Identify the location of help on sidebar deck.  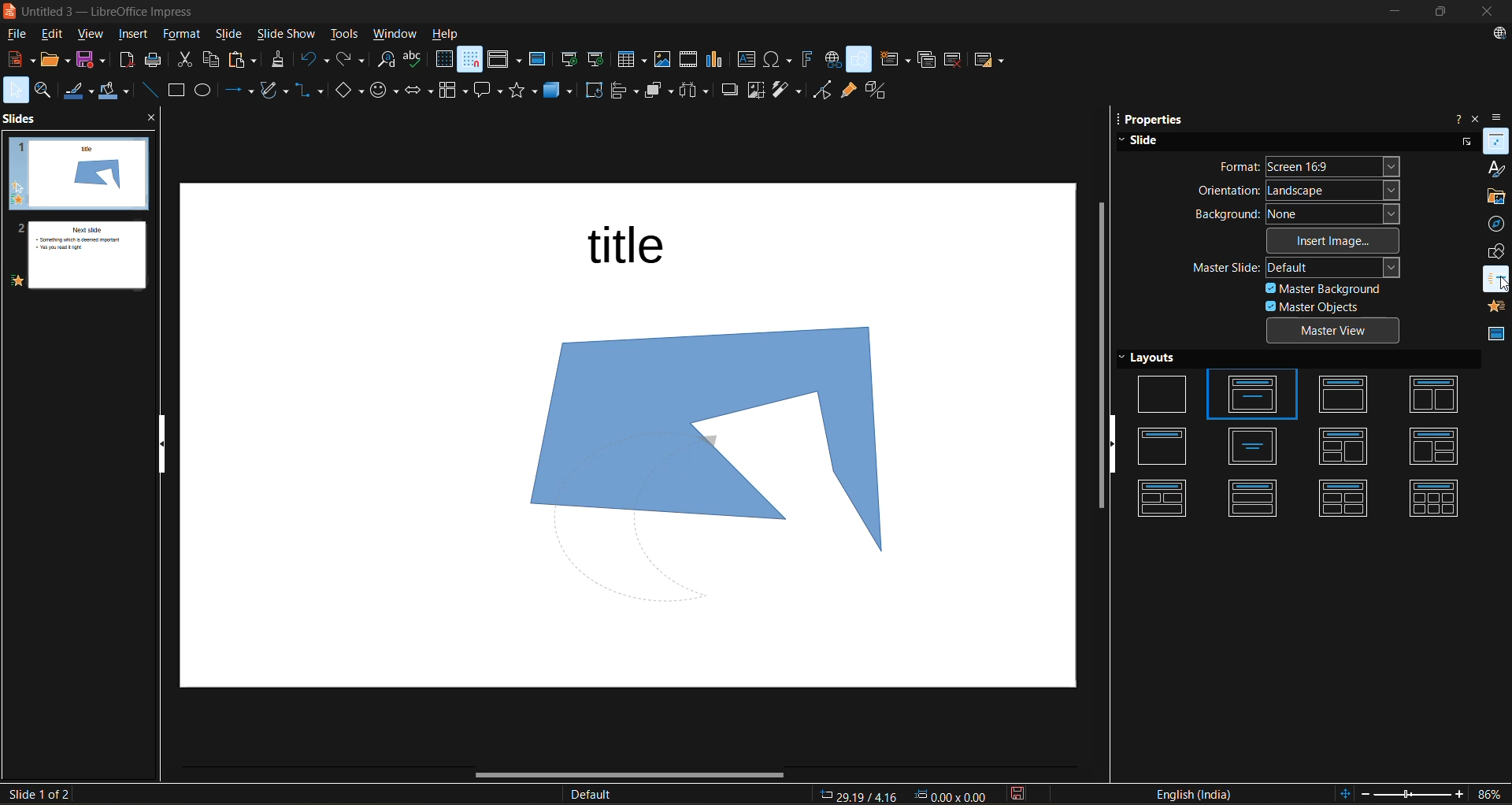
(1455, 118).